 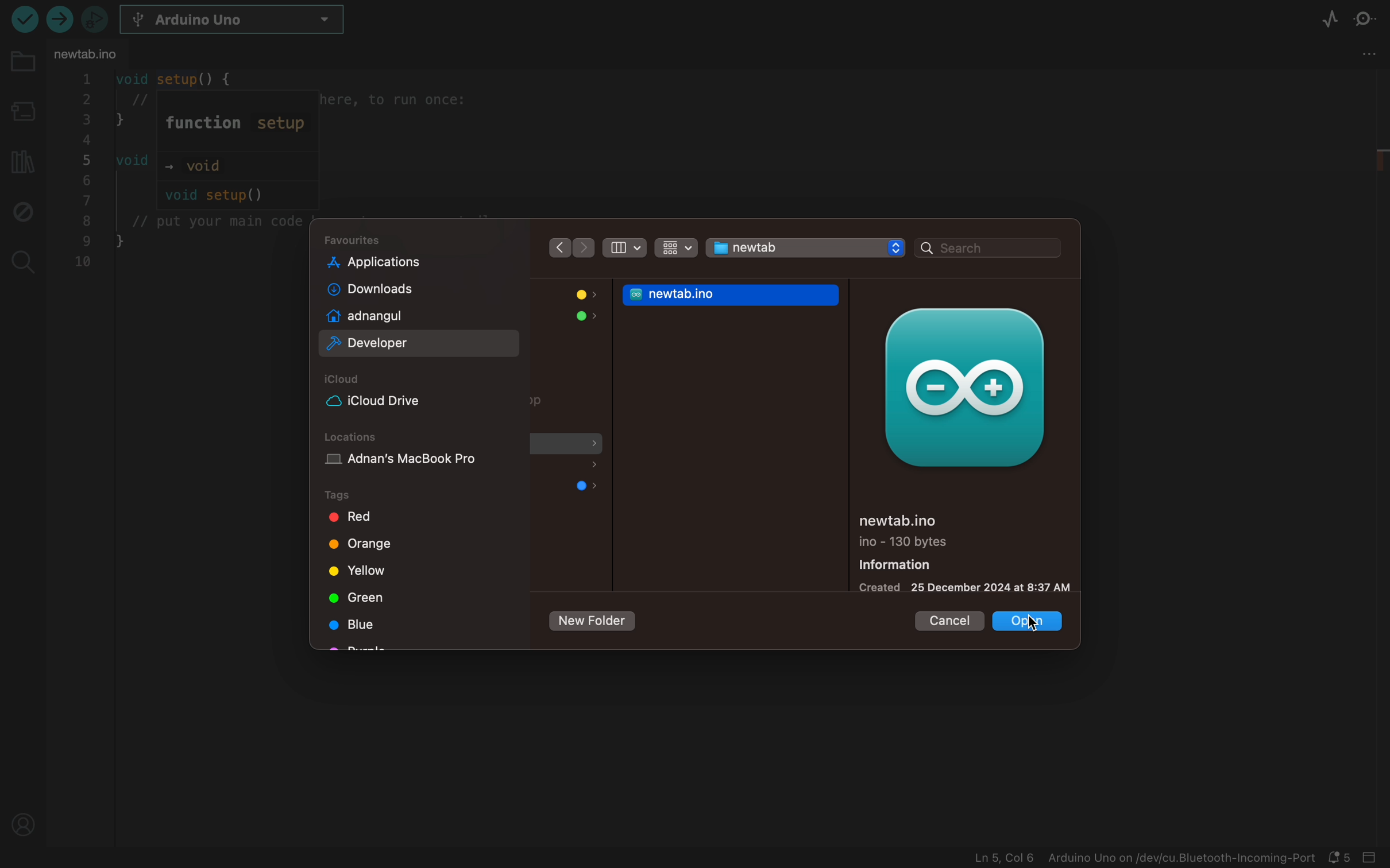 What do you see at coordinates (1330, 21) in the screenshot?
I see `serial plotter` at bounding box center [1330, 21].